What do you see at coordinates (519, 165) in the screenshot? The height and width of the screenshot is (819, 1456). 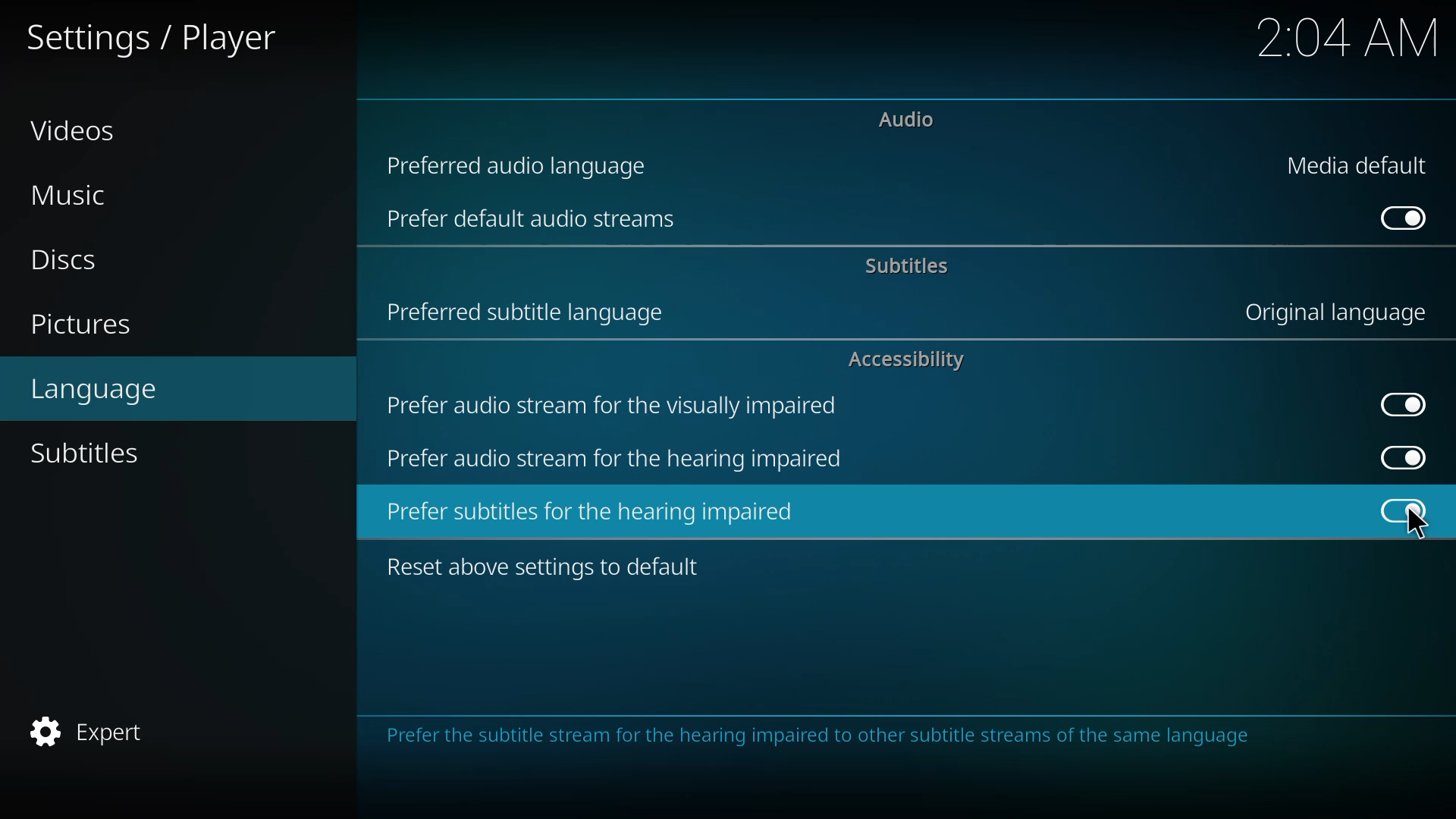 I see `preferred audio language` at bounding box center [519, 165].